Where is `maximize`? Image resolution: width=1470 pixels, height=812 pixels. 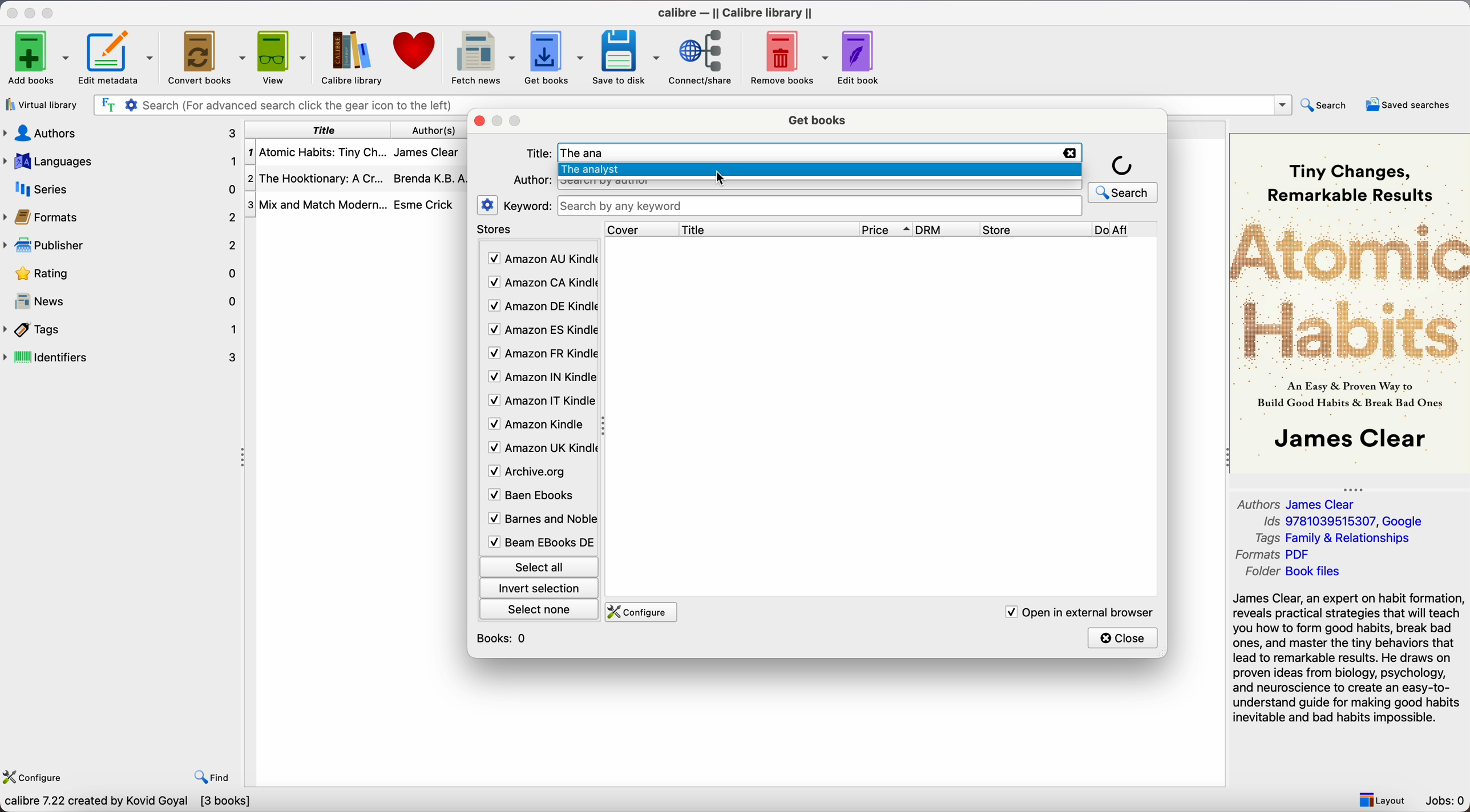
maximize is located at coordinates (515, 123).